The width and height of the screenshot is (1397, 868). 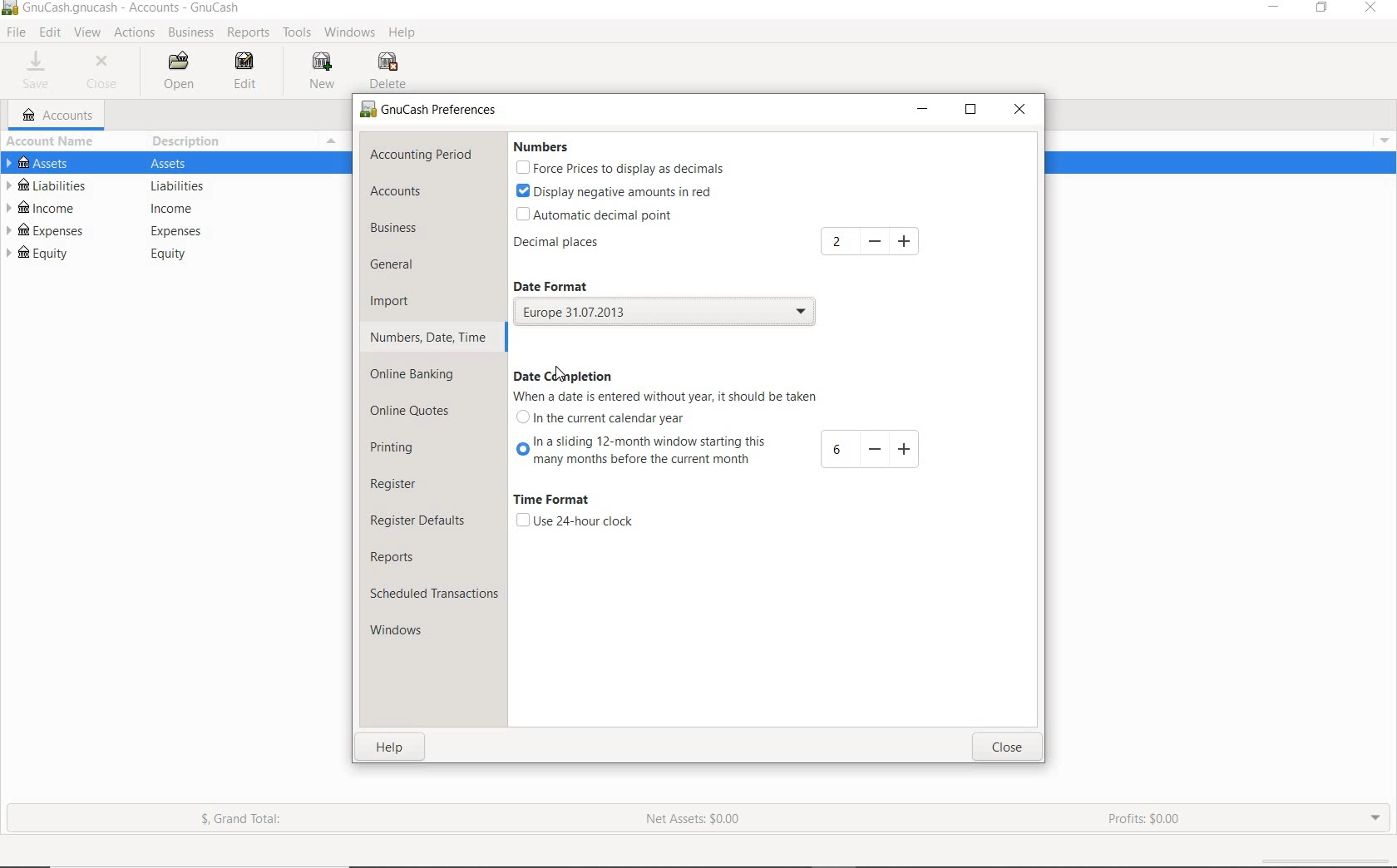 What do you see at coordinates (434, 596) in the screenshot?
I see `scheduled transactions` at bounding box center [434, 596].